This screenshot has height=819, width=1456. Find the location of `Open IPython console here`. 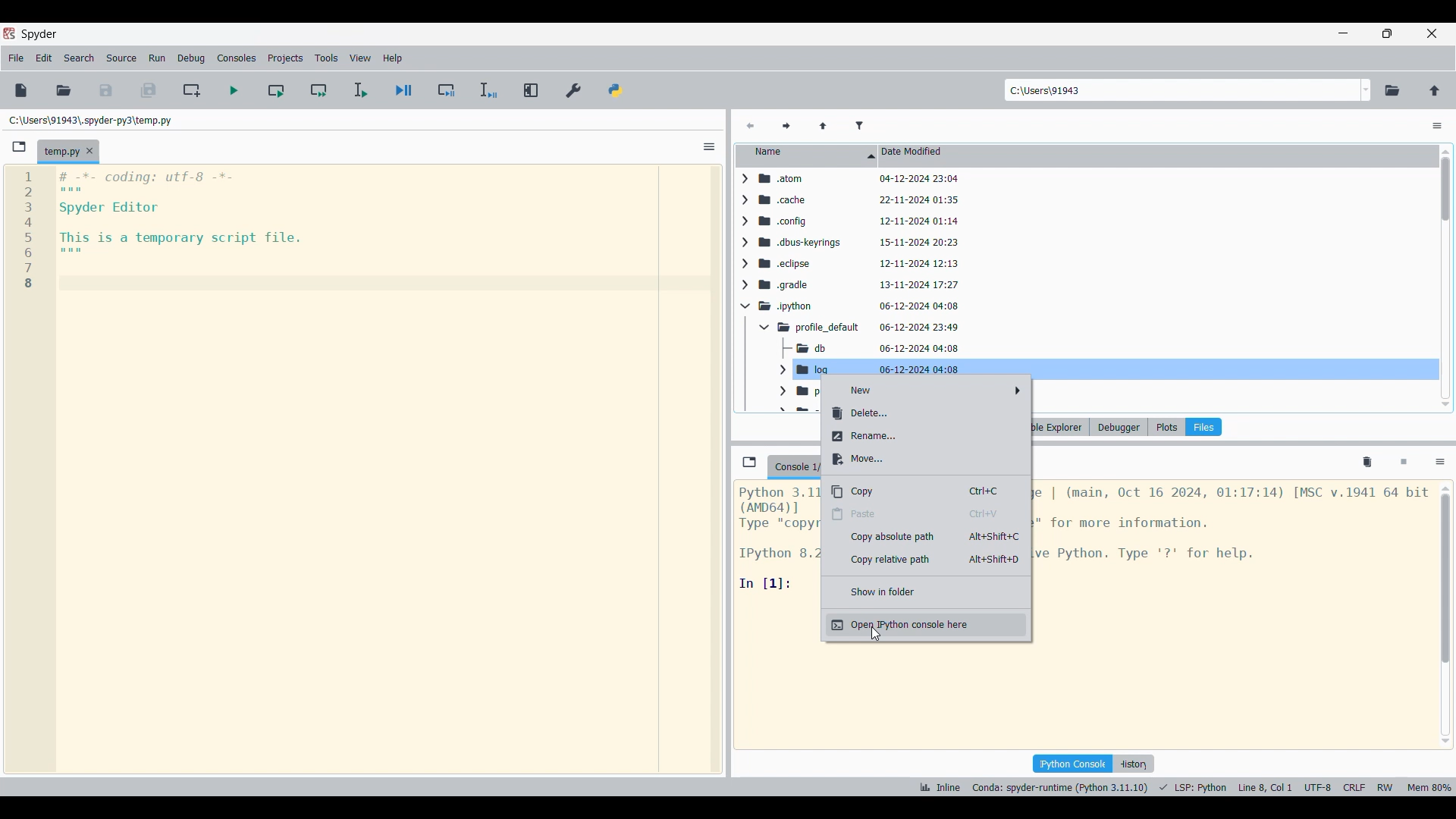

Open IPython console here is located at coordinates (926, 625).